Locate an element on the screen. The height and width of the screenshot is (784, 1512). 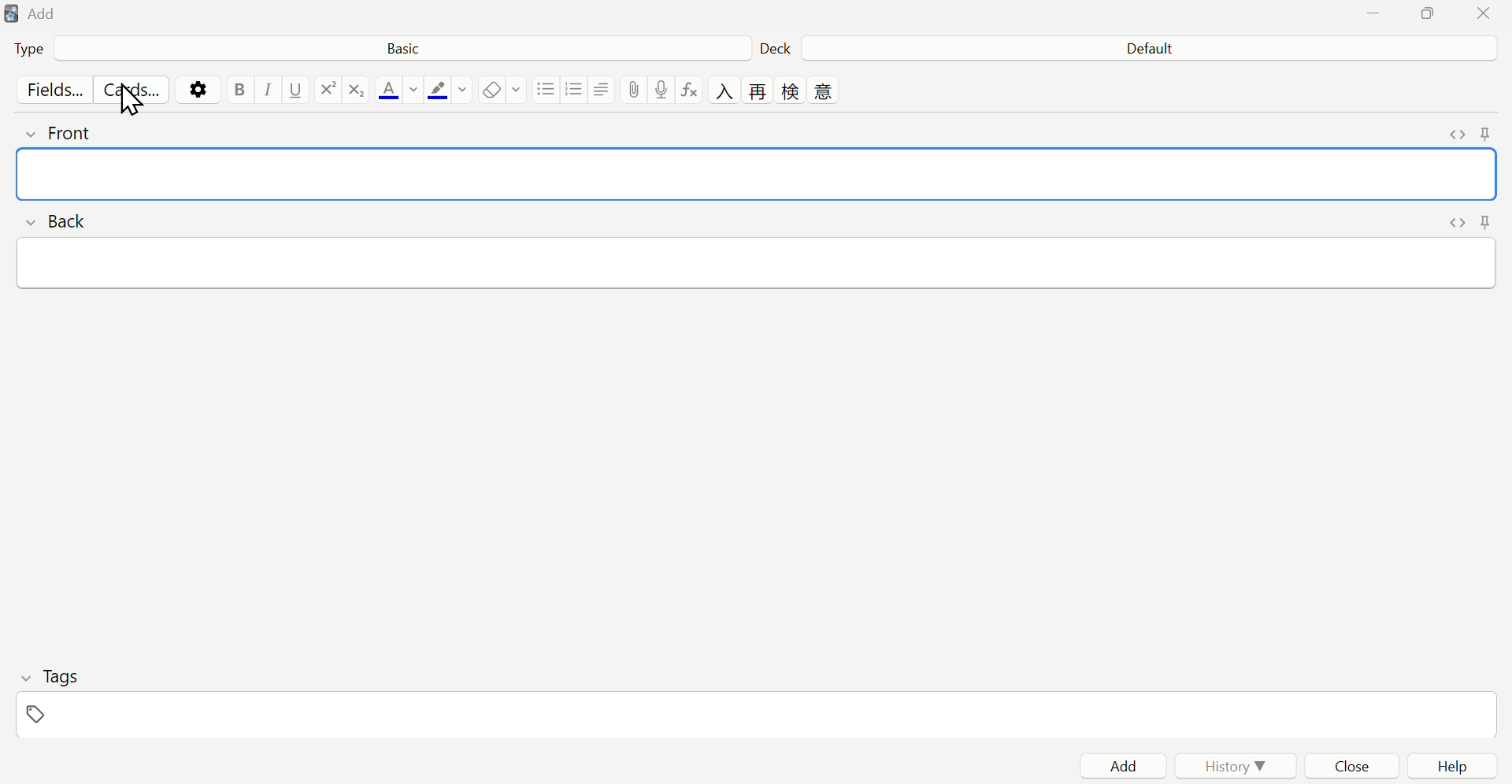
Text Colour is located at coordinates (396, 89).